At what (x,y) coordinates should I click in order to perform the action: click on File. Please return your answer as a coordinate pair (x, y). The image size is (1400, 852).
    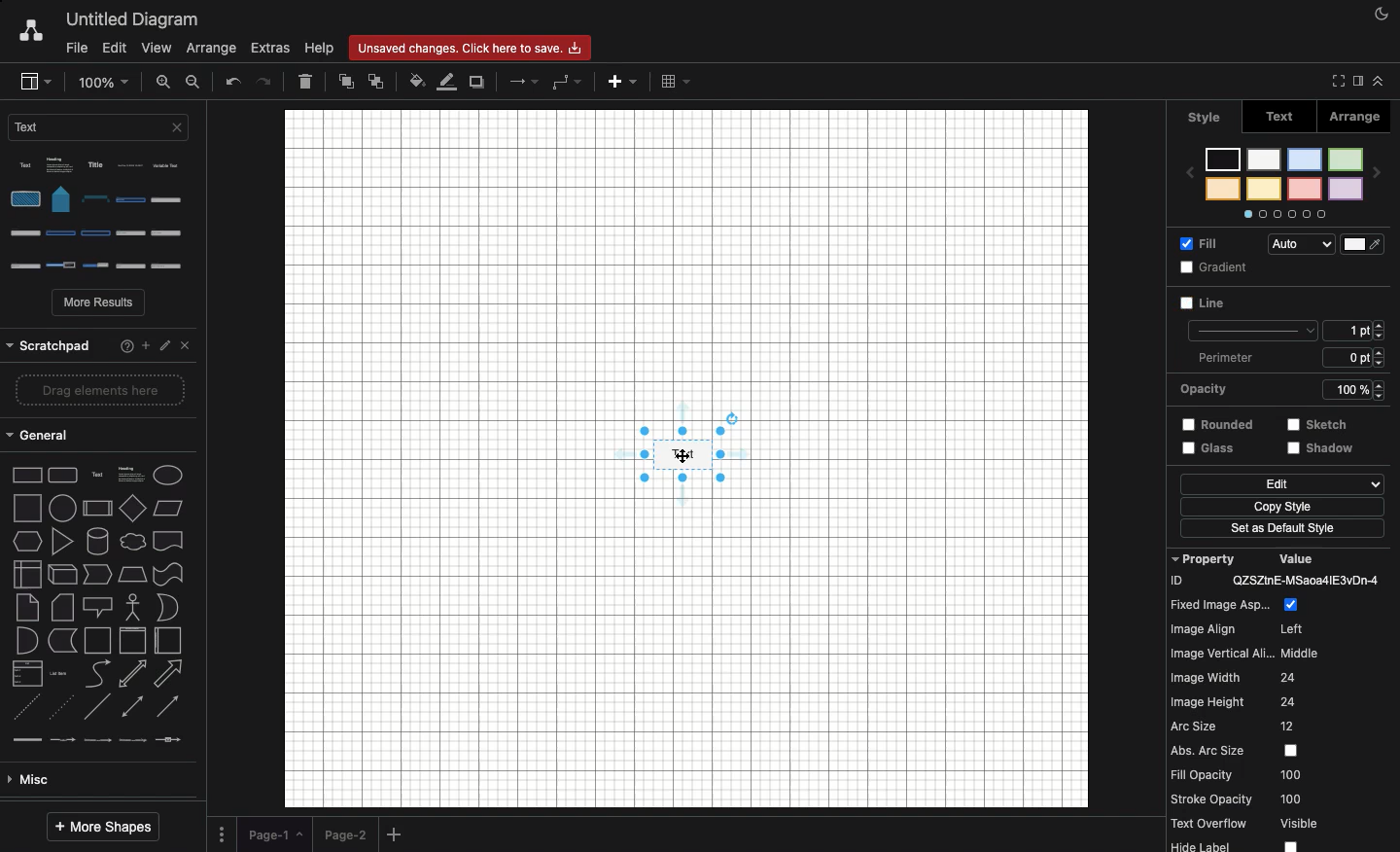
    Looking at the image, I should click on (74, 49).